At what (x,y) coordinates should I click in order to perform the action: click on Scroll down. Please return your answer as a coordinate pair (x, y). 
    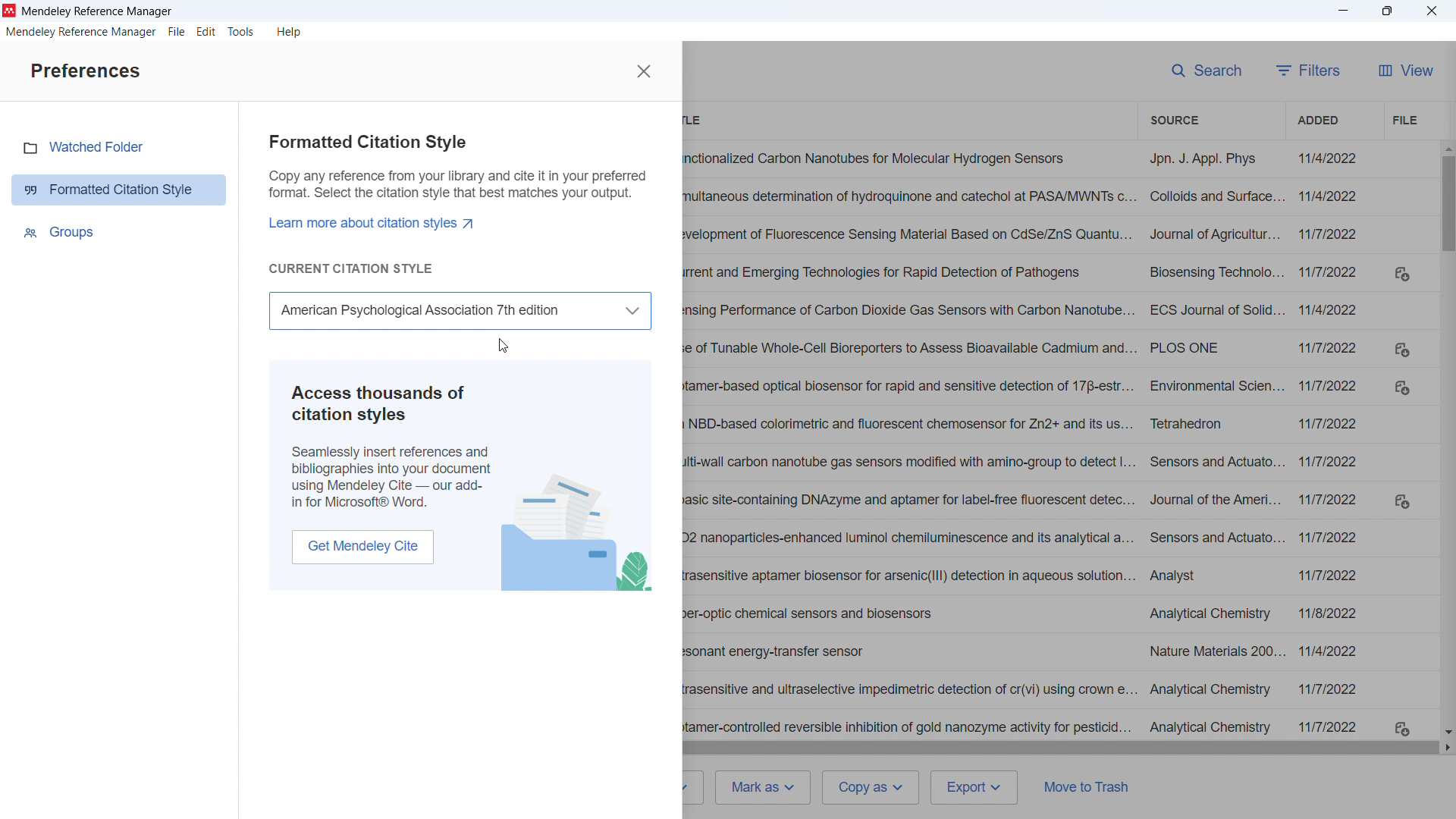
    Looking at the image, I should click on (1446, 732).